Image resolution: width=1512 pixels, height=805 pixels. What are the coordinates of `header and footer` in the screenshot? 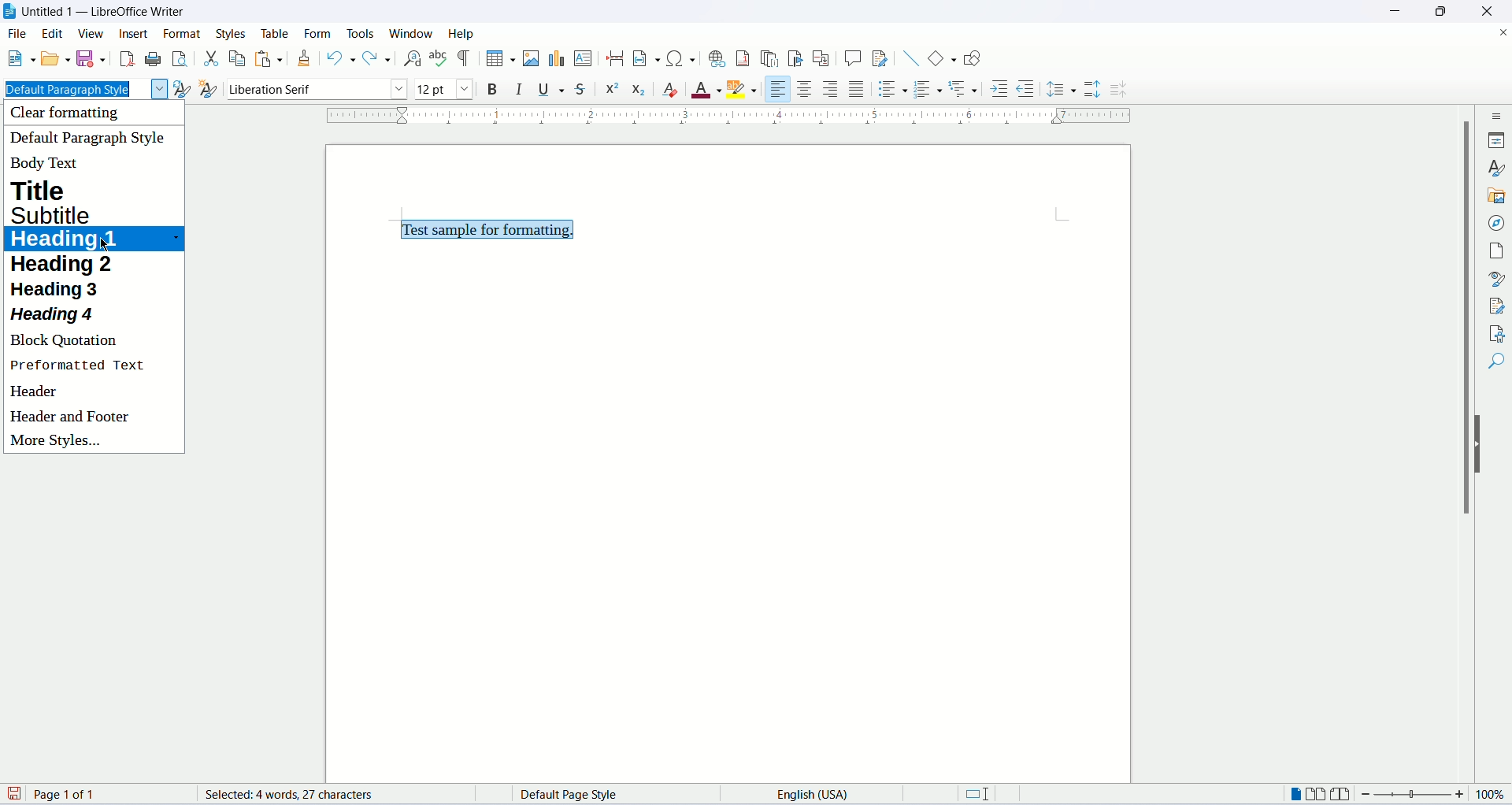 It's located at (70, 419).